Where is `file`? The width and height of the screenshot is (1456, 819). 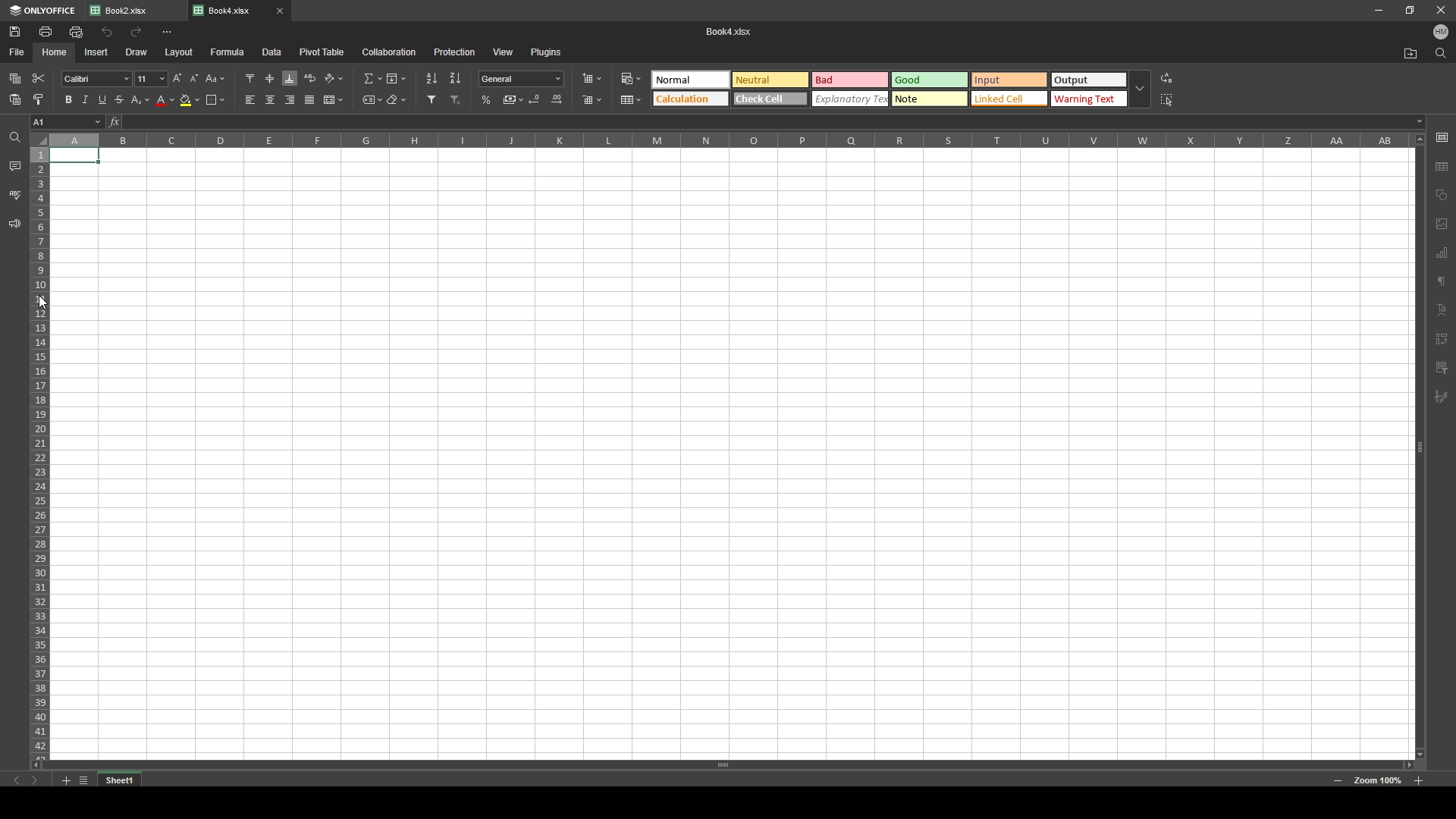 file is located at coordinates (19, 52).